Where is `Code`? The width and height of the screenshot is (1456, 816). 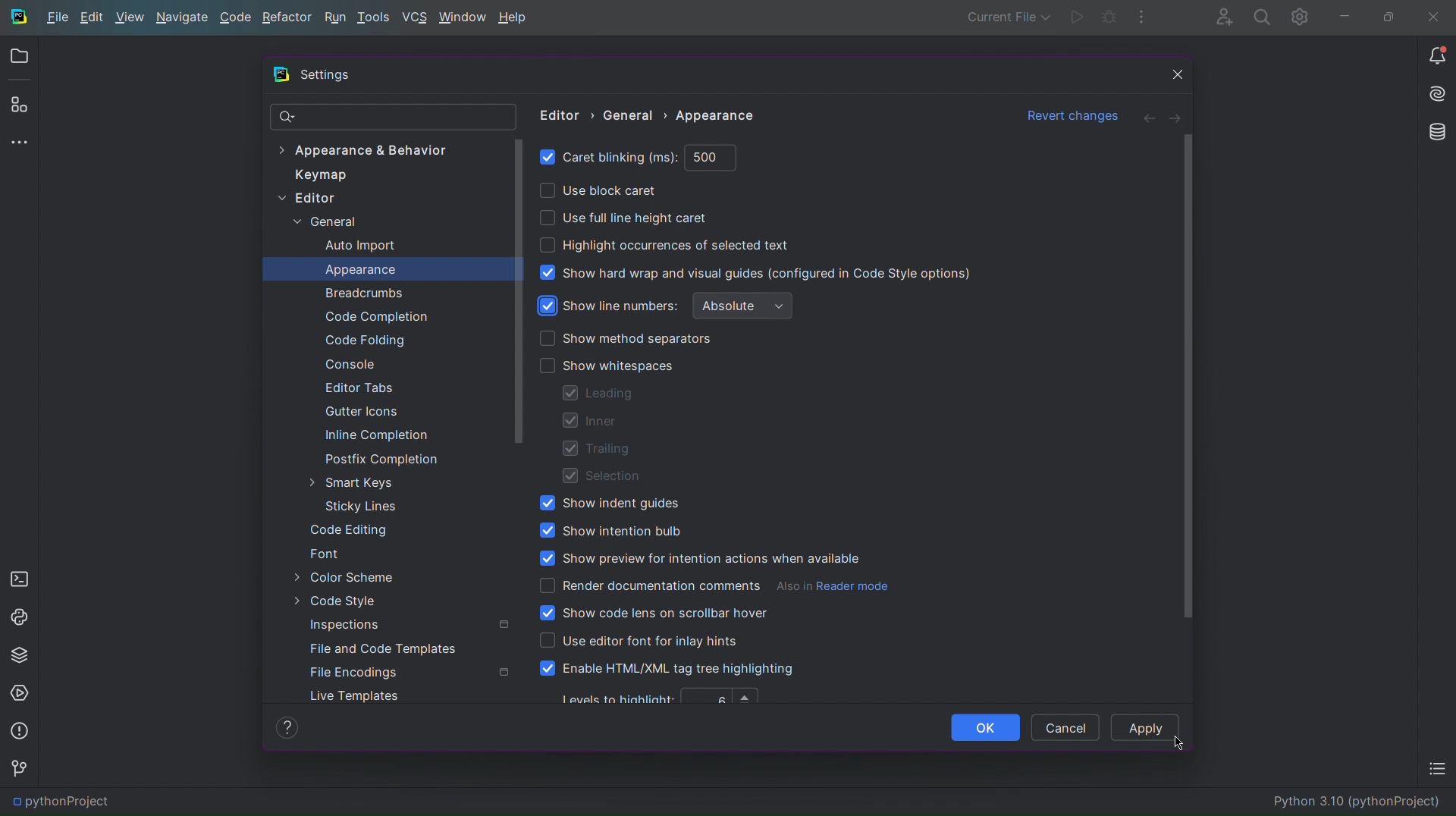
Code is located at coordinates (237, 17).